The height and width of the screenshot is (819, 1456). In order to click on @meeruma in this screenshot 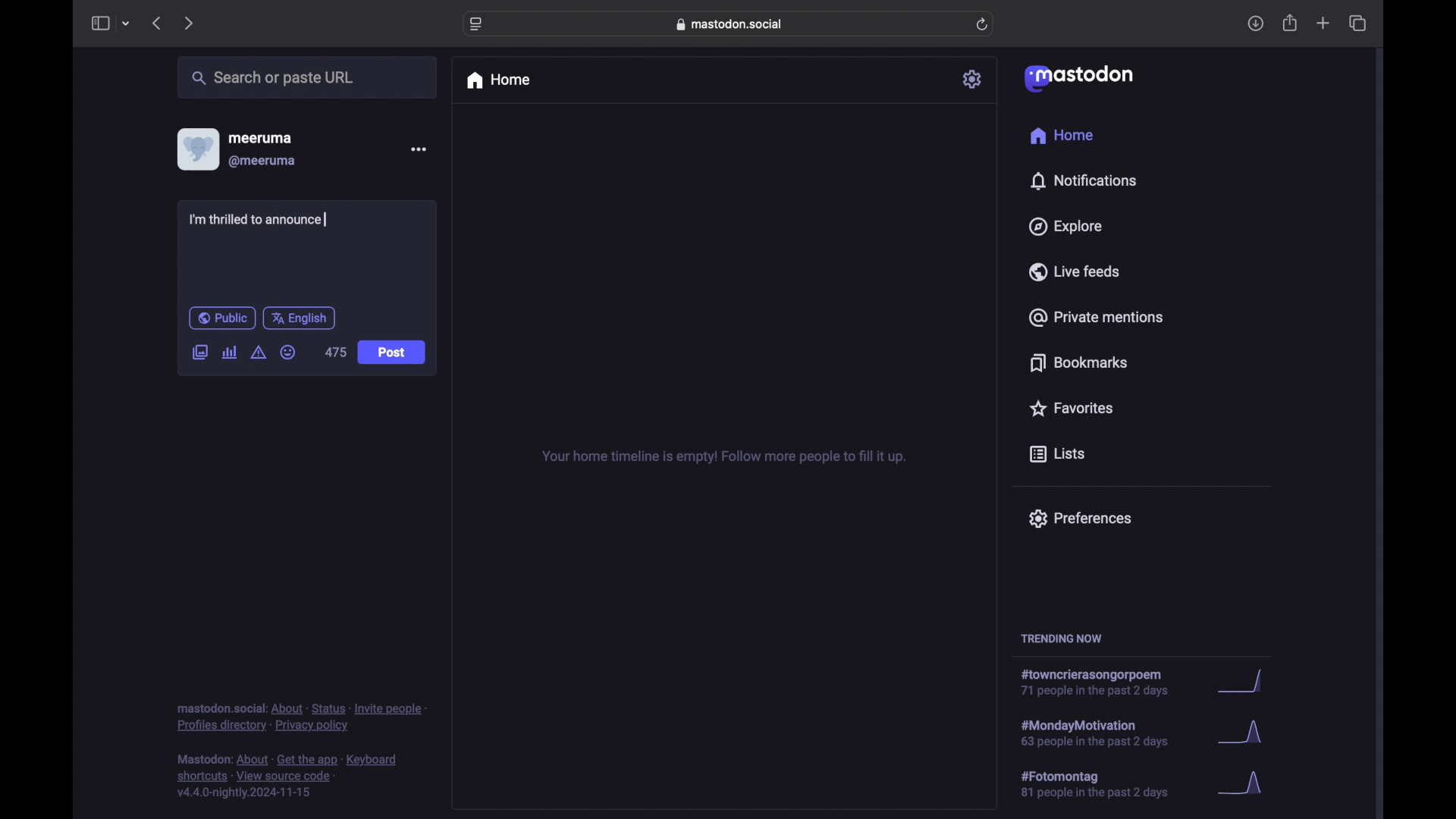, I will do `click(264, 162)`.